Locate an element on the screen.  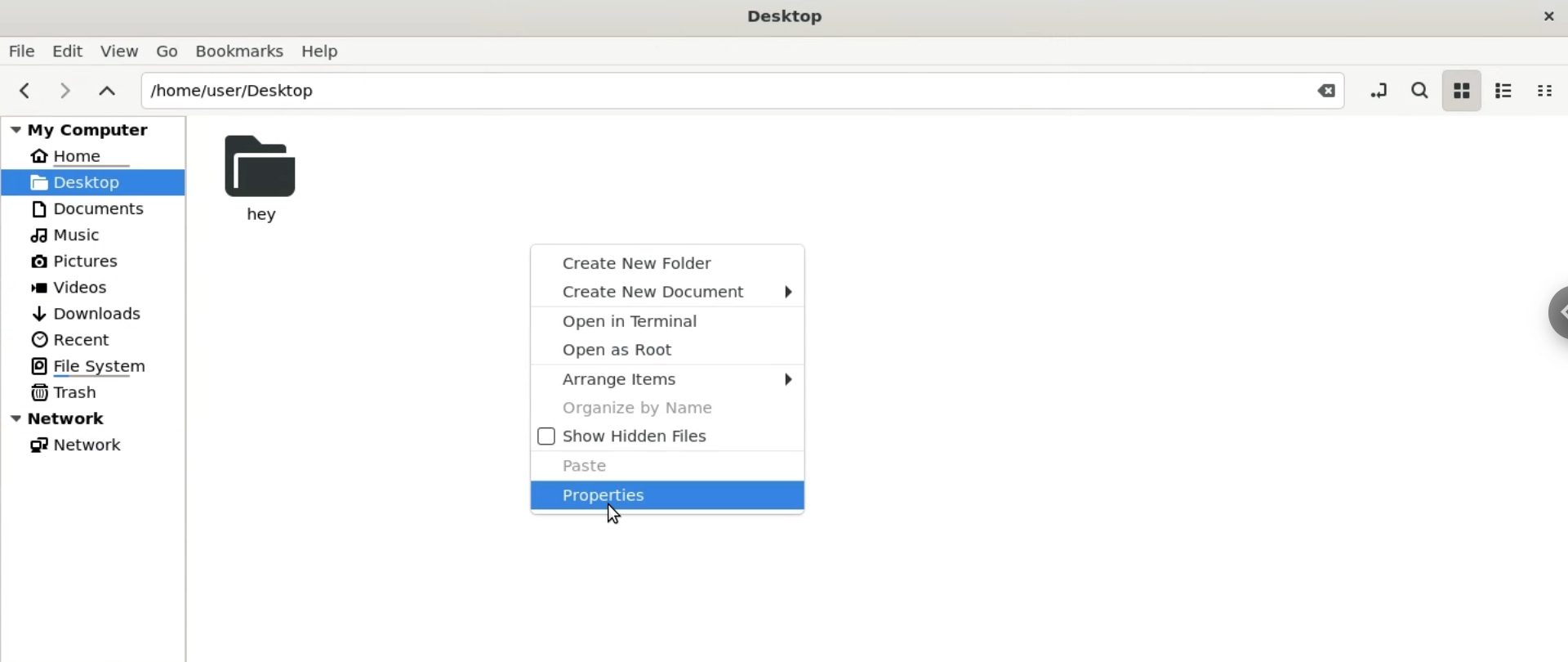
close is located at coordinates (1547, 17).